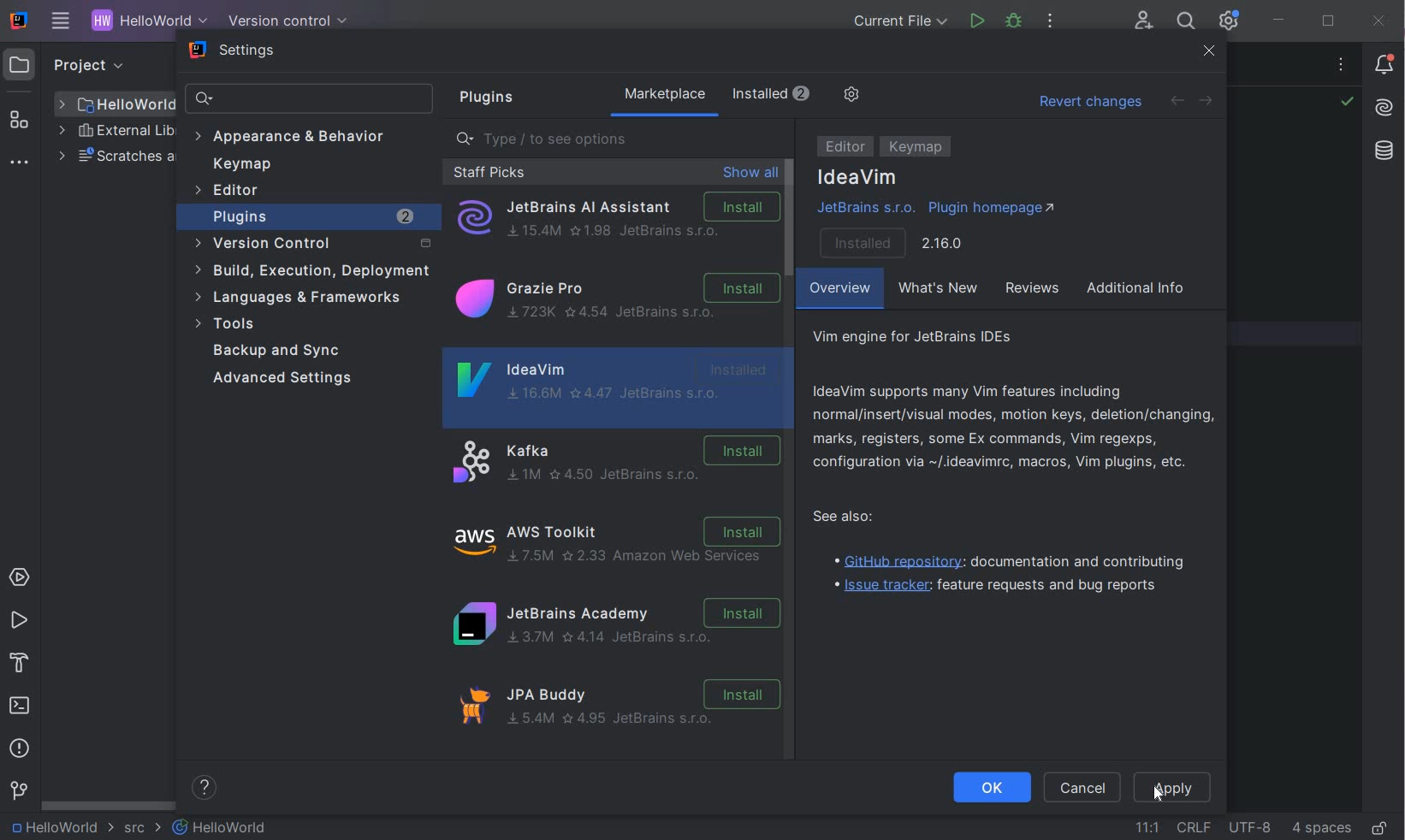 This screenshot has width=1405, height=840. What do you see at coordinates (845, 148) in the screenshot?
I see `EDITOR` at bounding box center [845, 148].